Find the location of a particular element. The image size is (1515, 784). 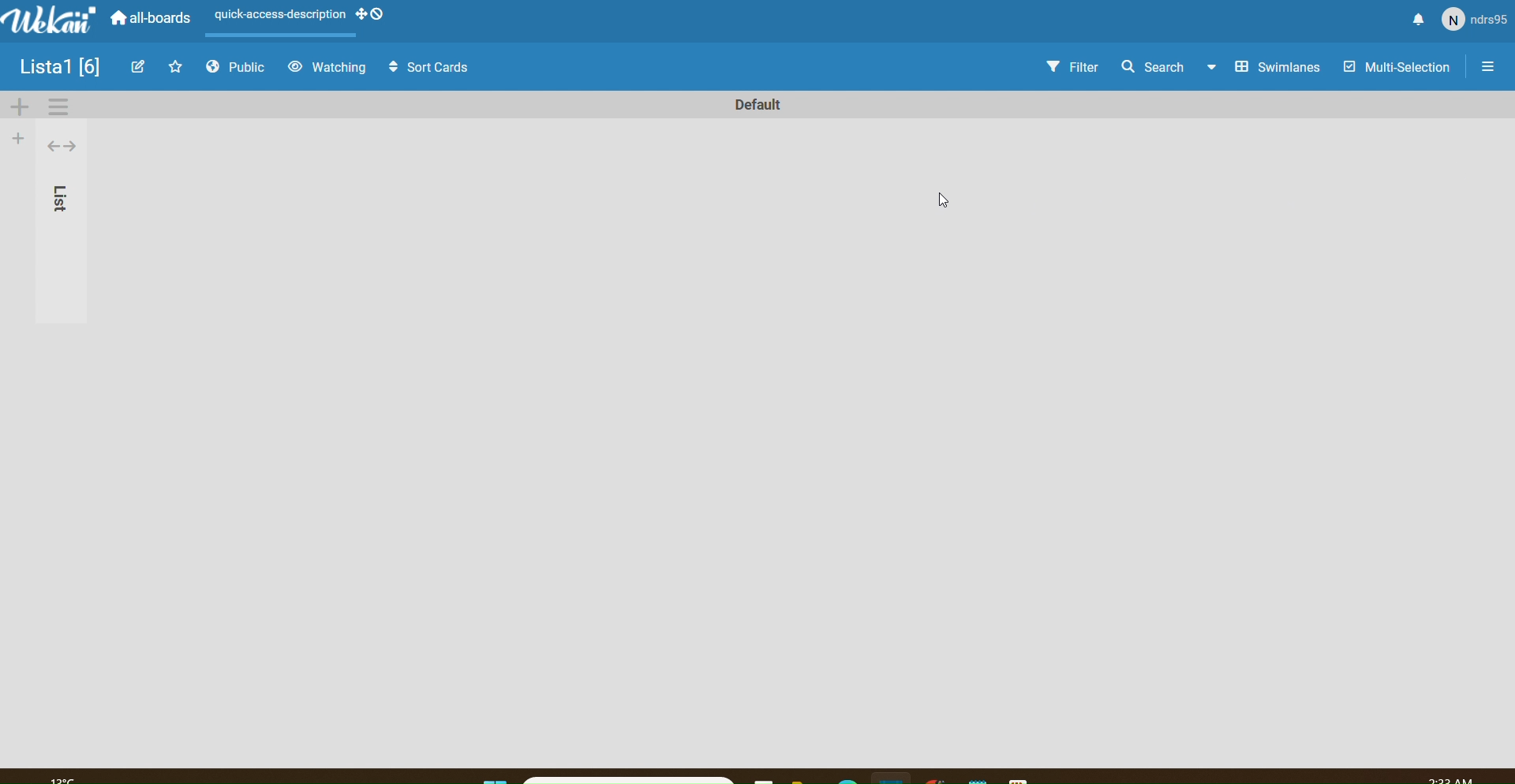

Search is located at coordinates (1157, 70).